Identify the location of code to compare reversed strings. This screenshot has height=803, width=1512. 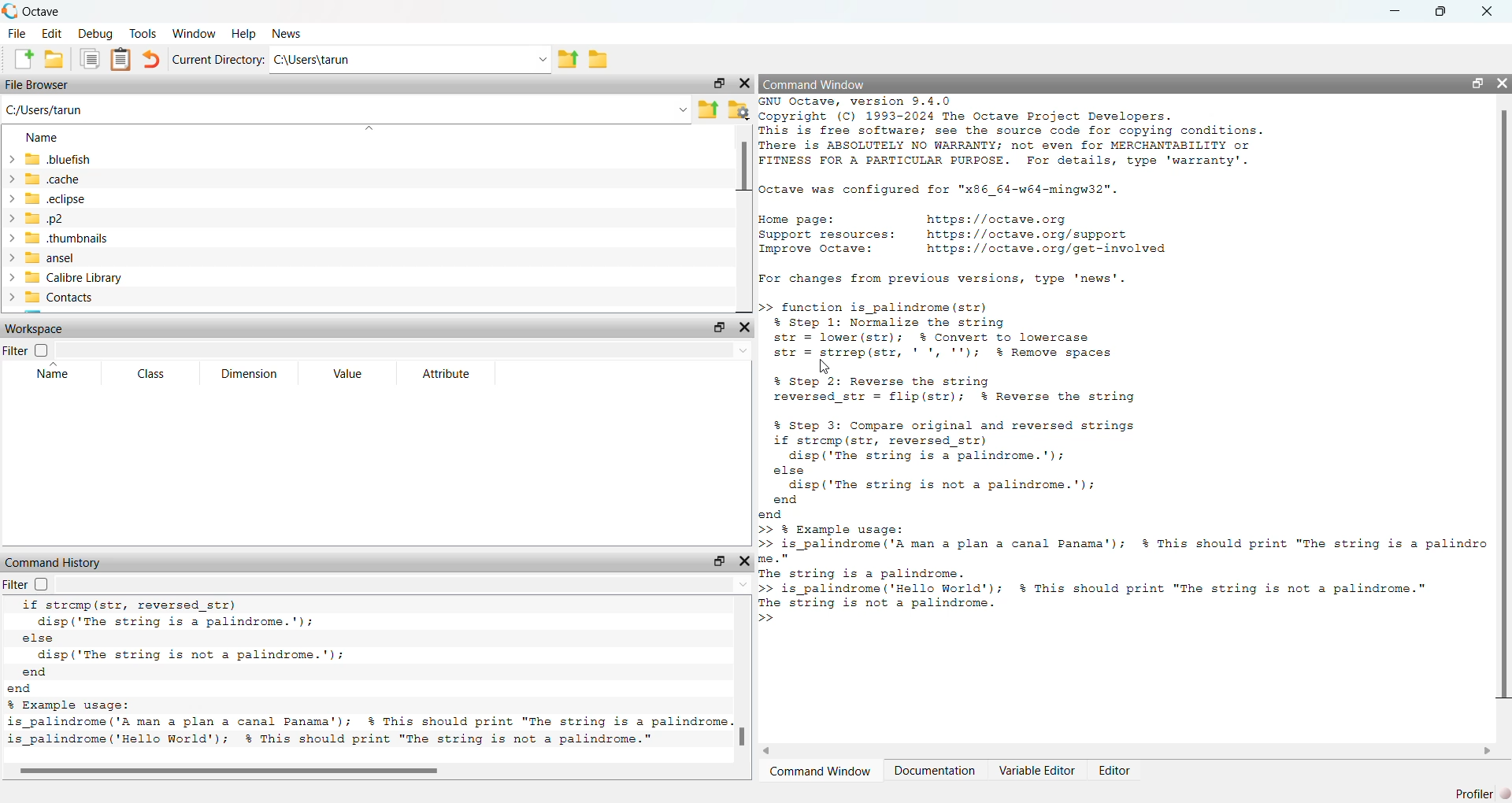
(995, 453).